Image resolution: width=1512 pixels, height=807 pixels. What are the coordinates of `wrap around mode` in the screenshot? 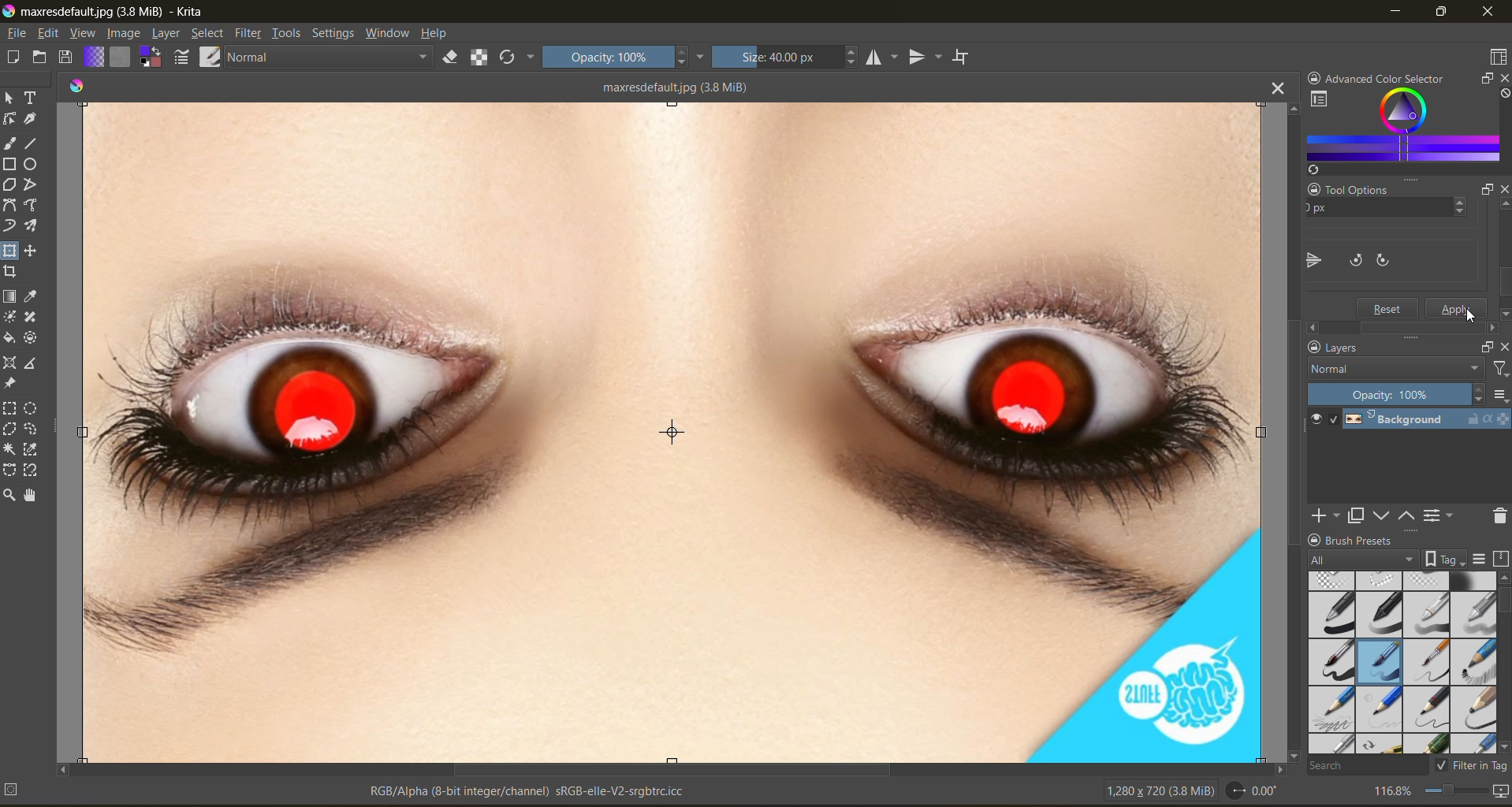 It's located at (963, 55).